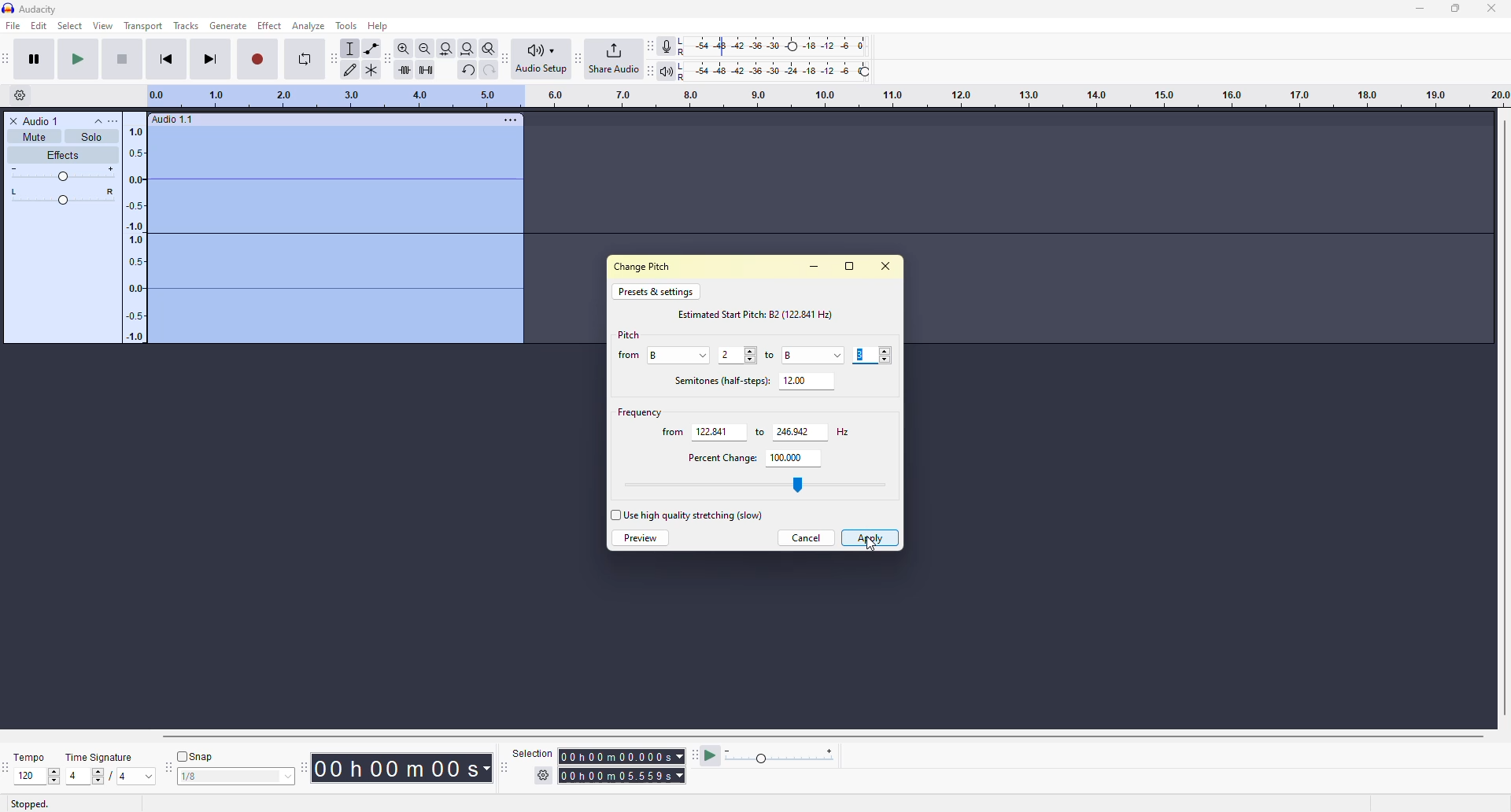 This screenshot has height=812, width=1511. I want to click on analyze, so click(310, 26).